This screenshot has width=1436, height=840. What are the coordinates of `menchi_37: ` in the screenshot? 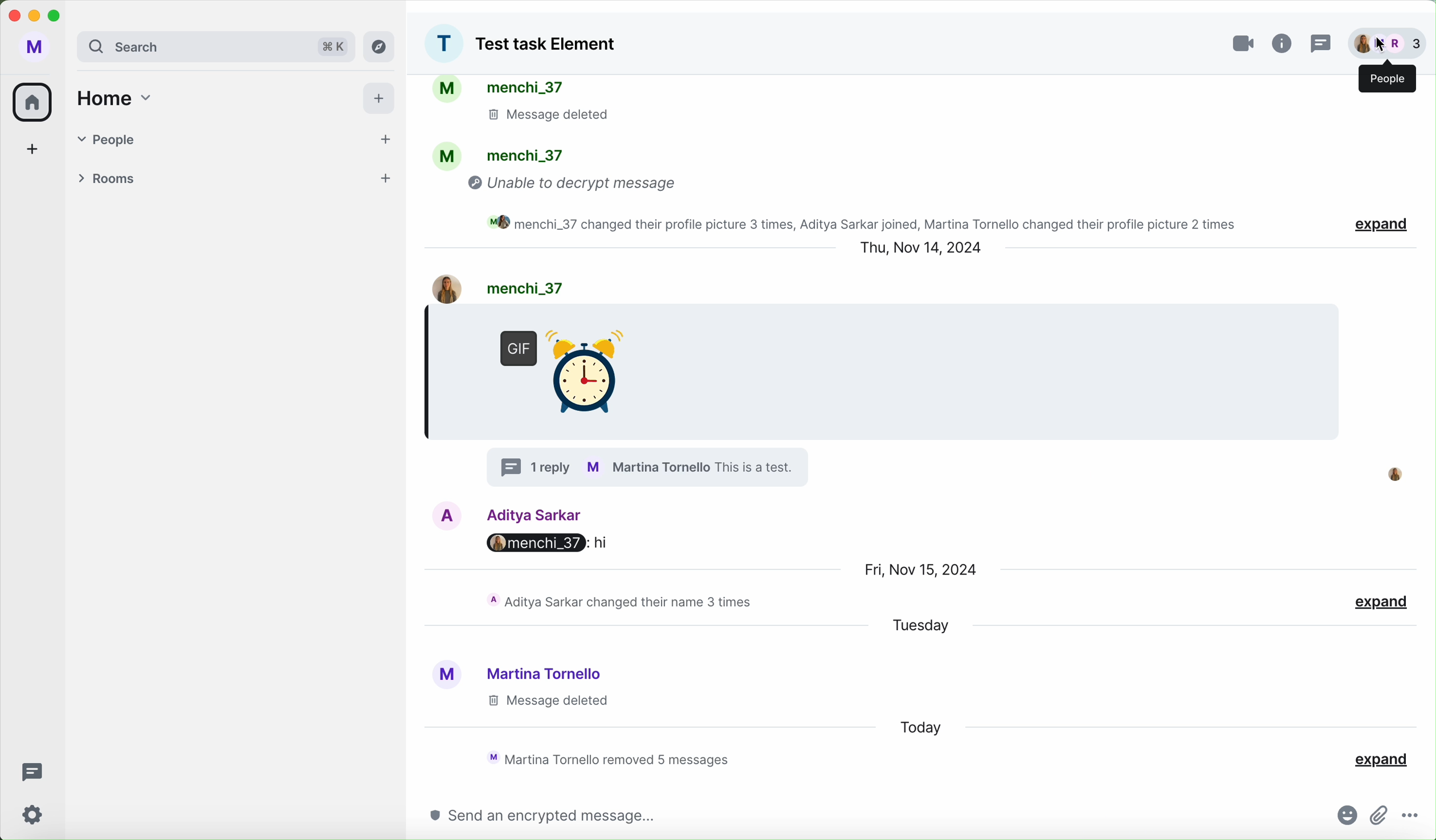 It's located at (531, 543).